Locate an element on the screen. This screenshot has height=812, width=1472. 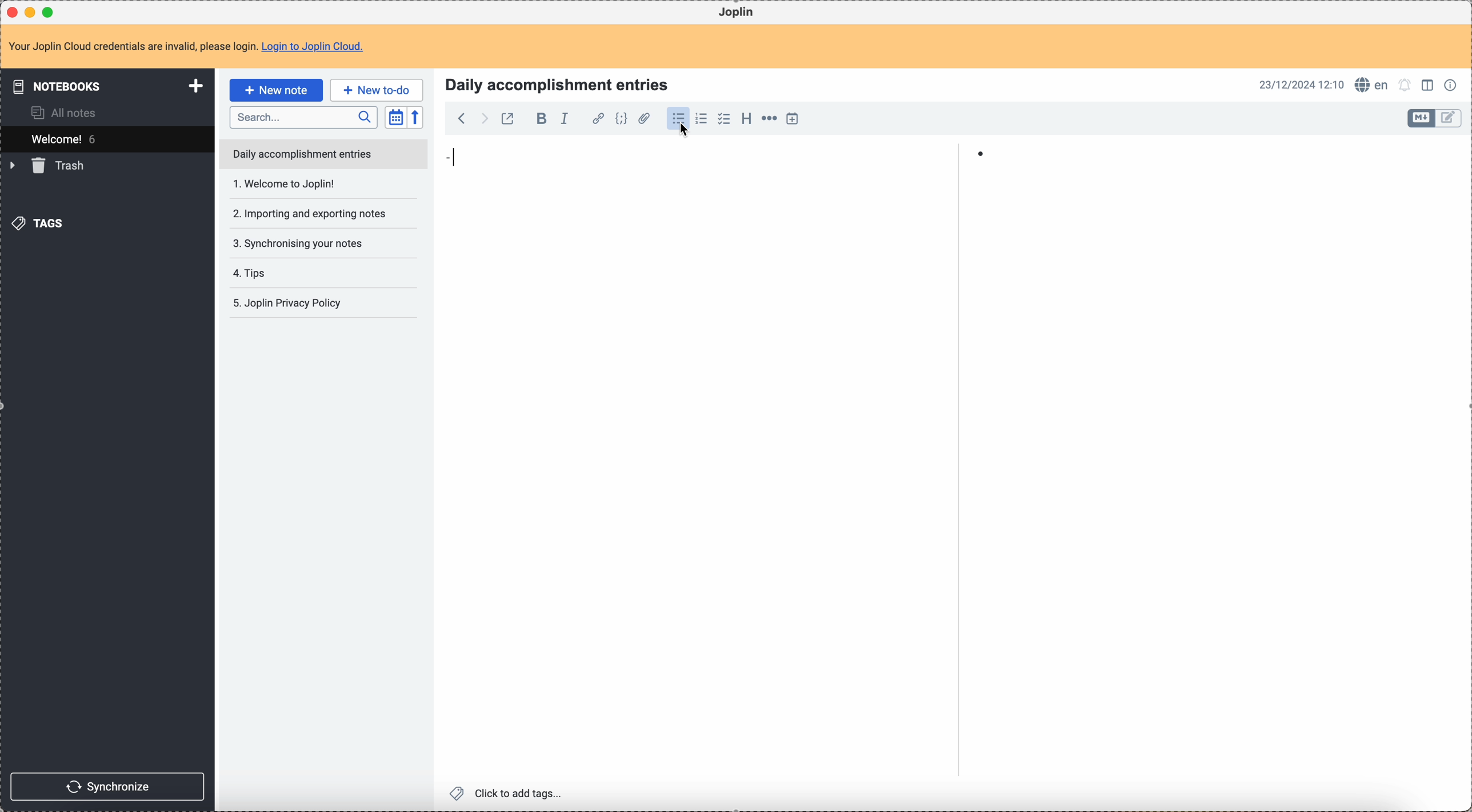
item is located at coordinates (719, 154).